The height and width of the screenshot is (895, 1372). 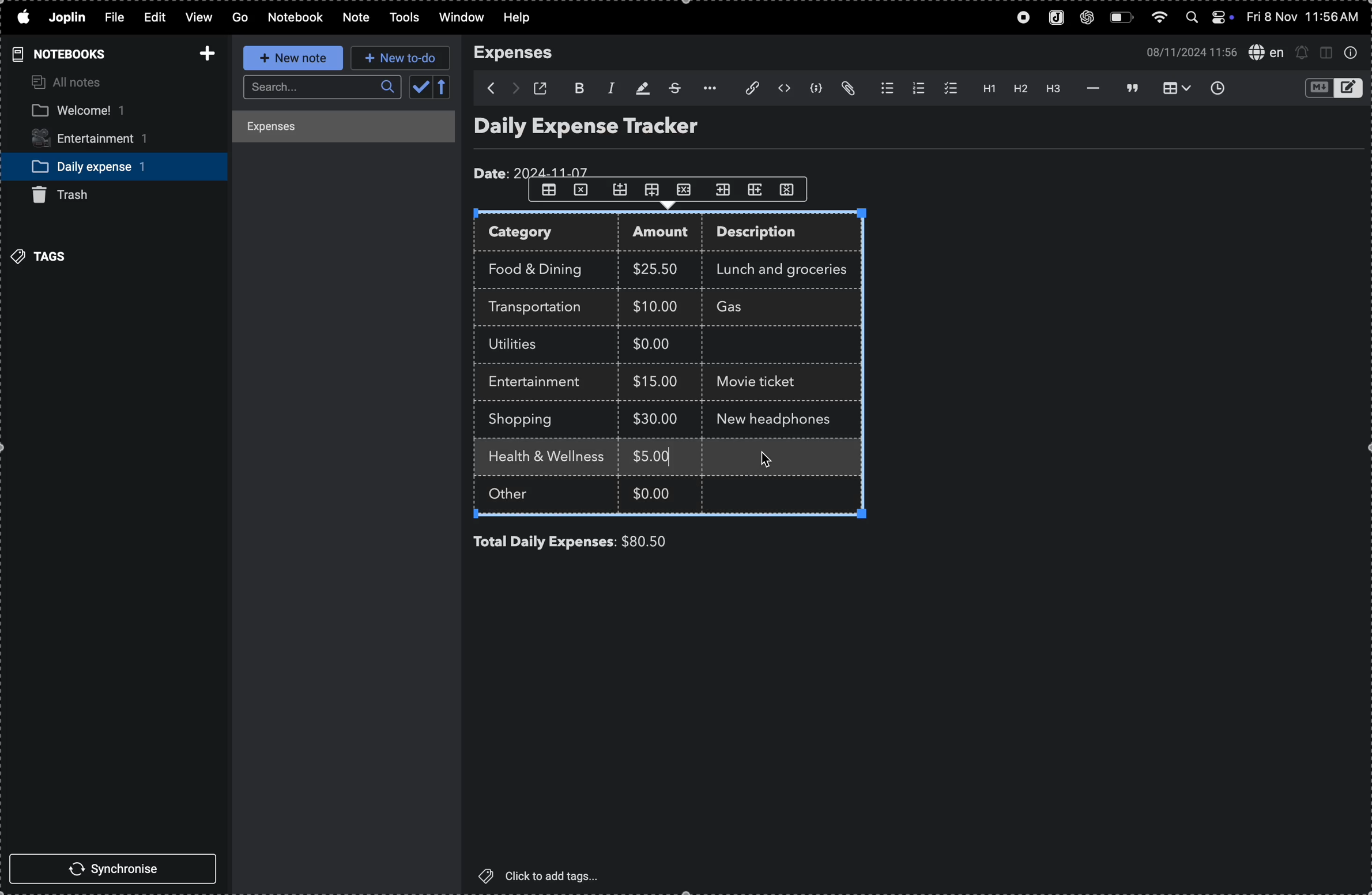 I want to click on , so click(x=621, y=189).